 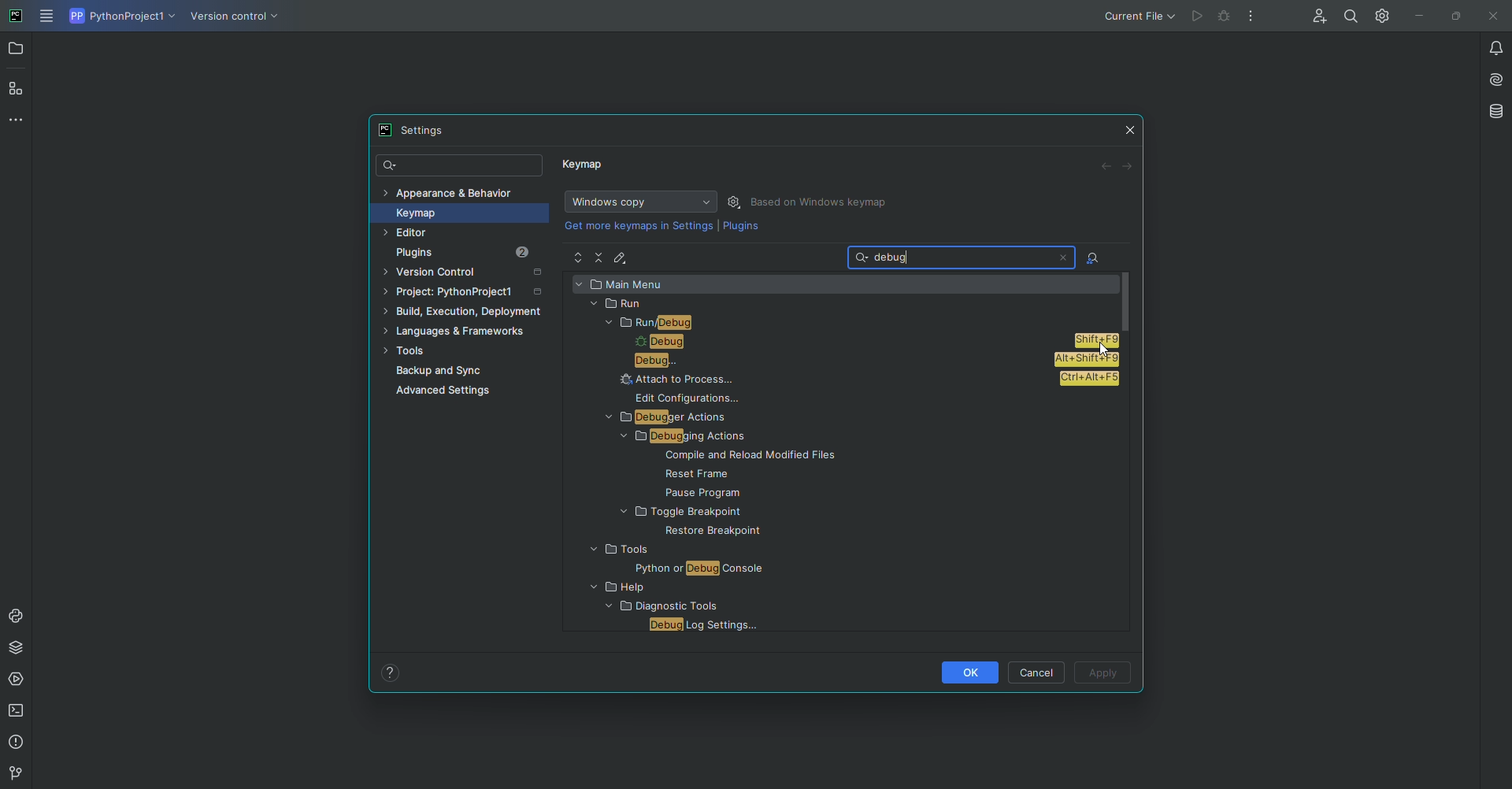 I want to click on Structure, so click(x=17, y=87).